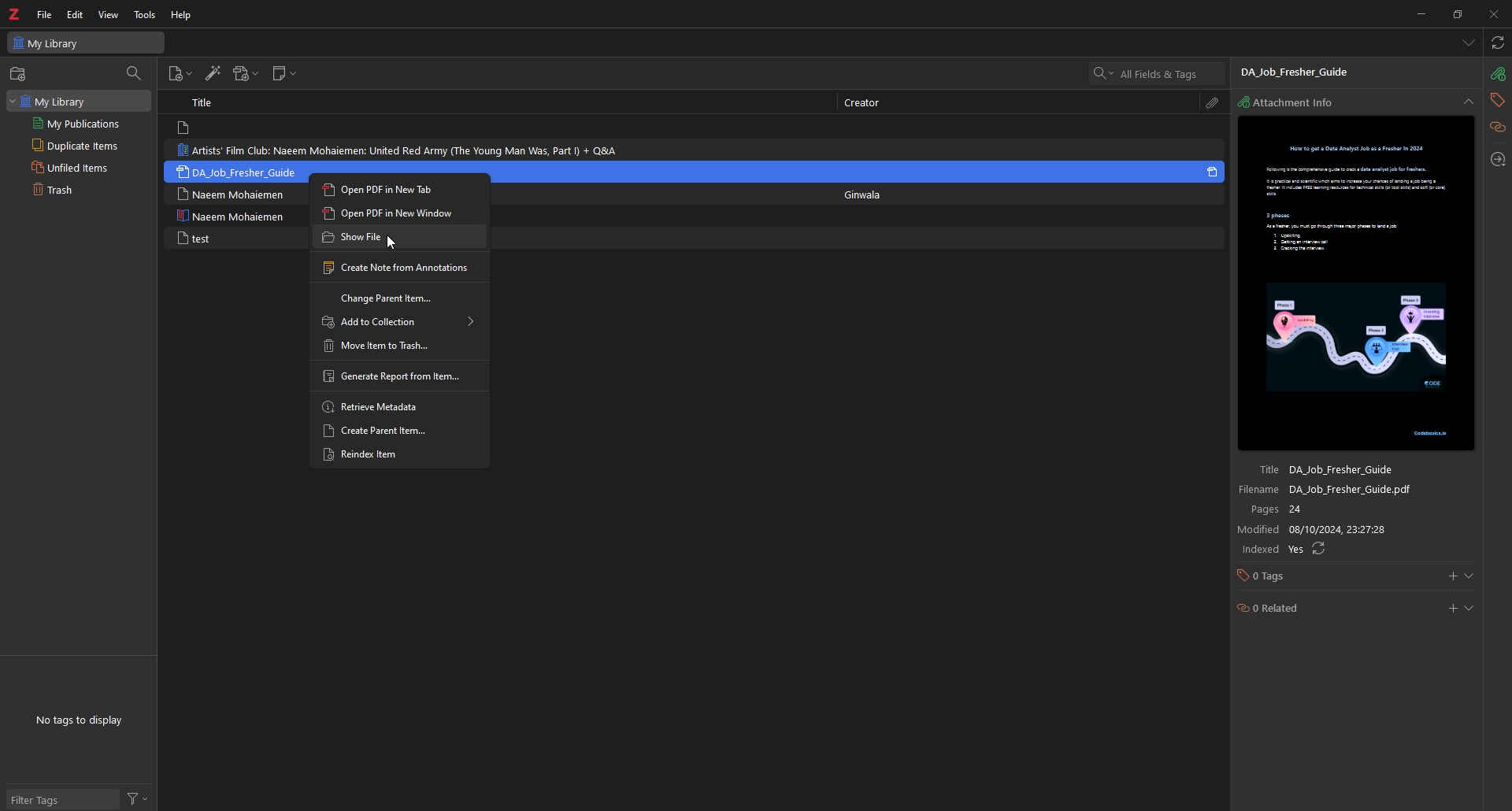  What do you see at coordinates (1345, 510) in the screenshot?
I see `pages` at bounding box center [1345, 510].